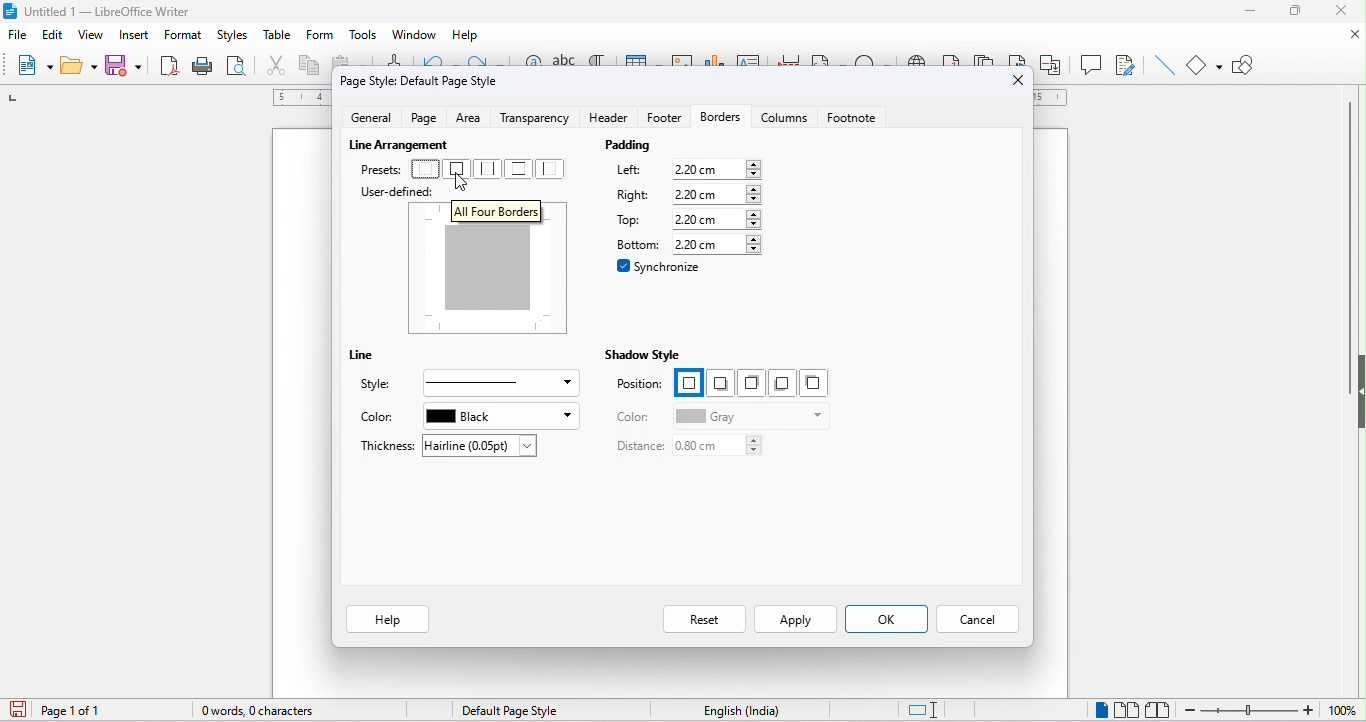 The width and height of the screenshot is (1366, 722). Describe the element at coordinates (373, 357) in the screenshot. I see `line` at that location.